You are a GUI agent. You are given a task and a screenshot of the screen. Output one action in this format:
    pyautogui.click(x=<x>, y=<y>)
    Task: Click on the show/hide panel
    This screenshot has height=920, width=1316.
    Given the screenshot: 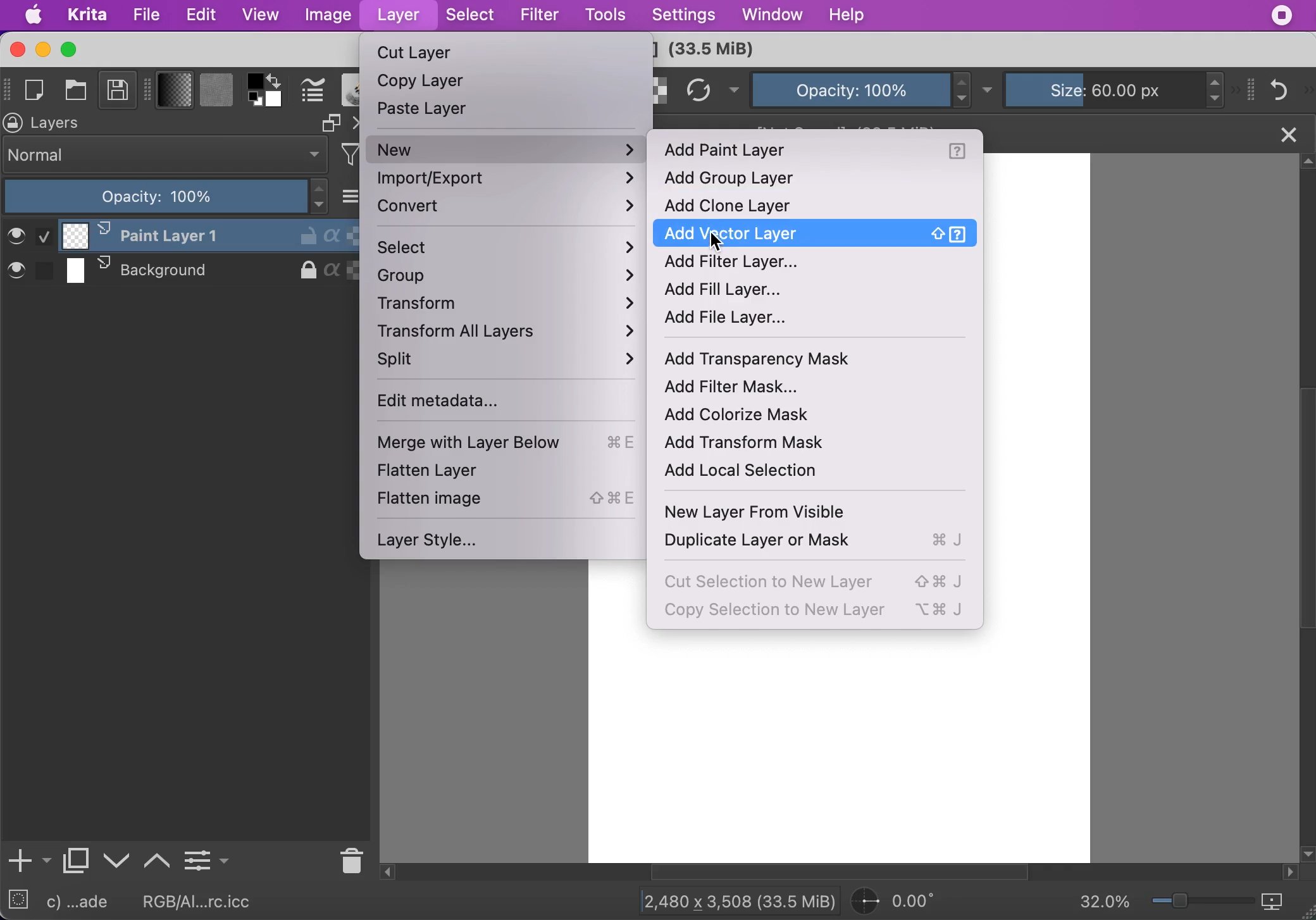 What is the action you would take?
    pyautogui.click(x=1252, y=89)
    